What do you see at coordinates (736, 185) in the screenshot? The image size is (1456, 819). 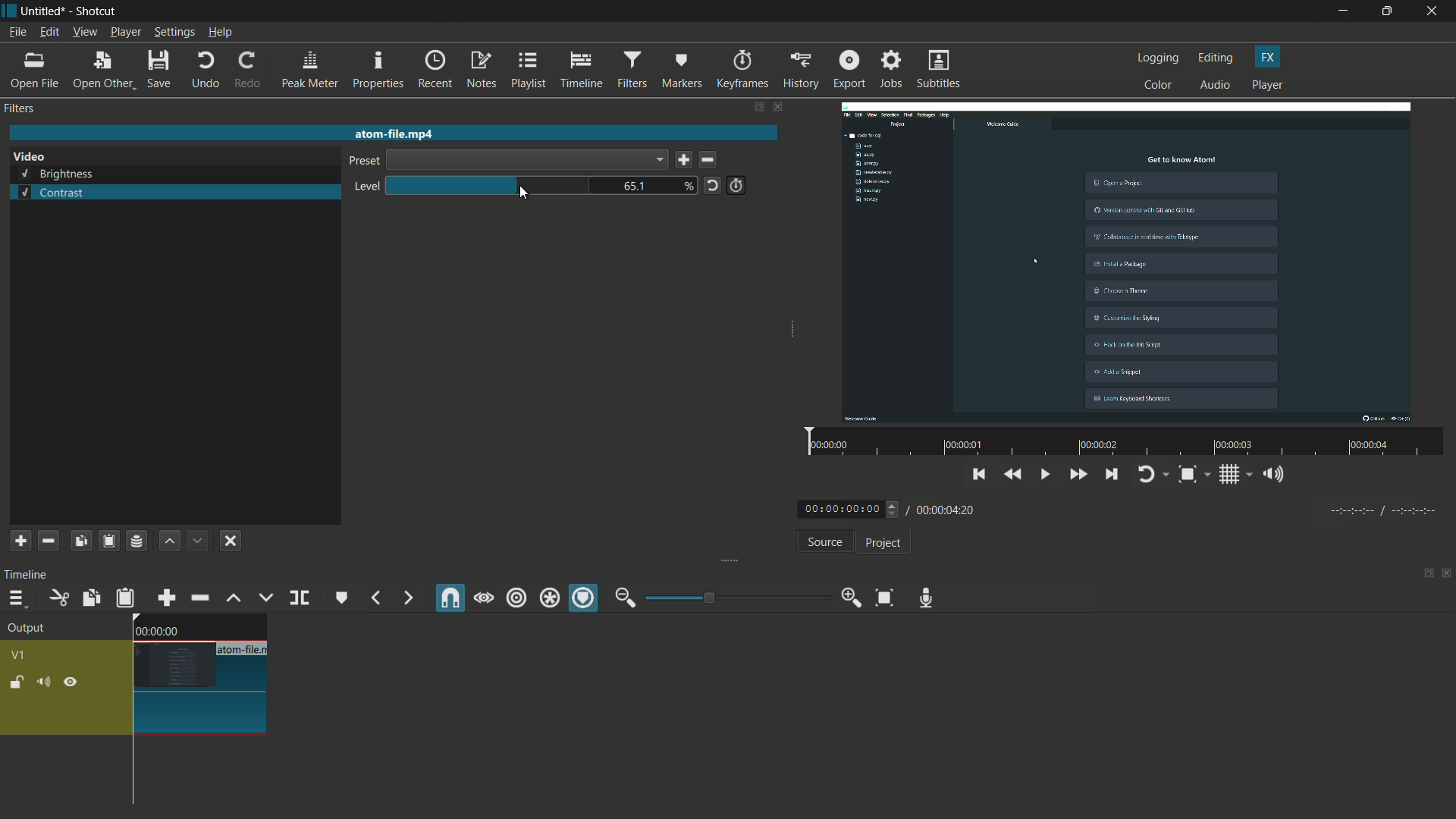 I see `use keyframes for this parameter` at bounding box center [736, 185].